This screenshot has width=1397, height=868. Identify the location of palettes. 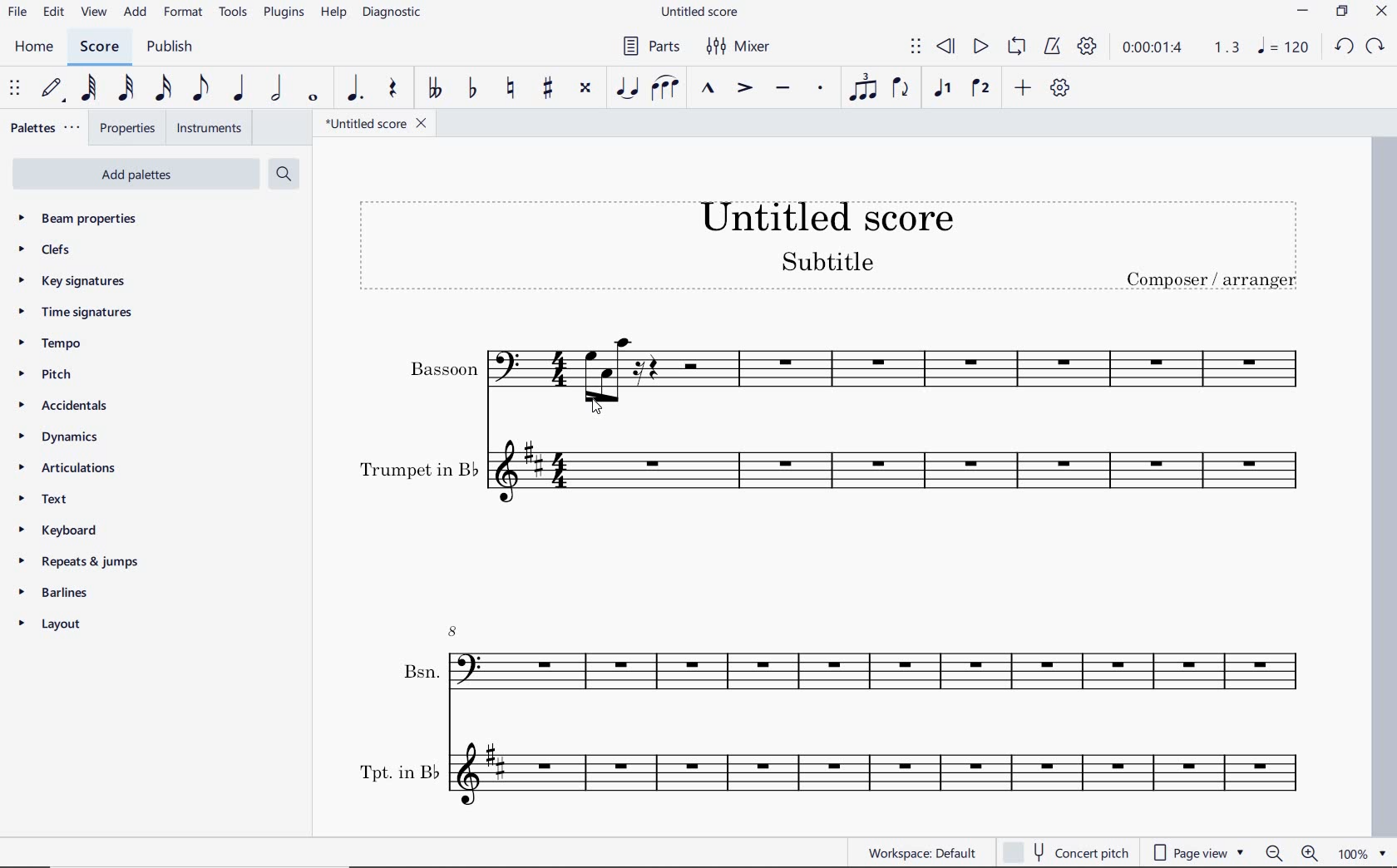
(44, 128).